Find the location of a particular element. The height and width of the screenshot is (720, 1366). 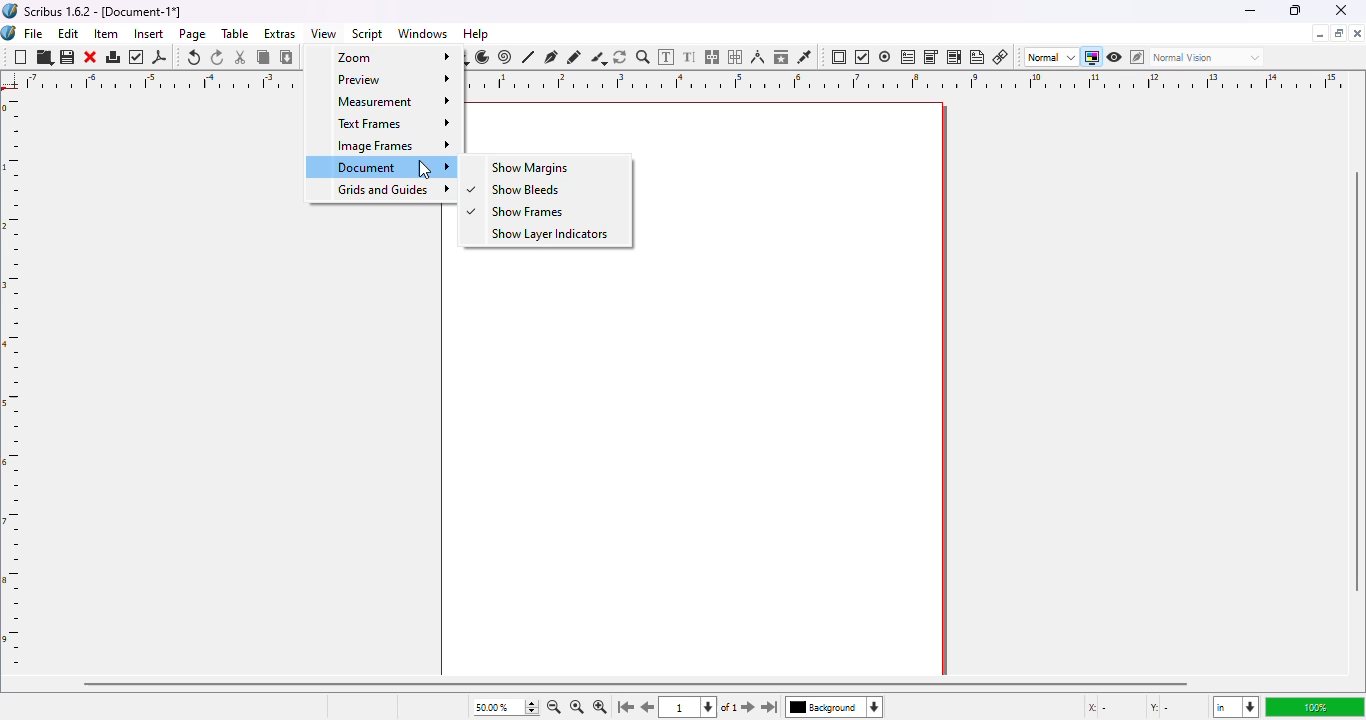

insert is located at coordinates (149, 33).